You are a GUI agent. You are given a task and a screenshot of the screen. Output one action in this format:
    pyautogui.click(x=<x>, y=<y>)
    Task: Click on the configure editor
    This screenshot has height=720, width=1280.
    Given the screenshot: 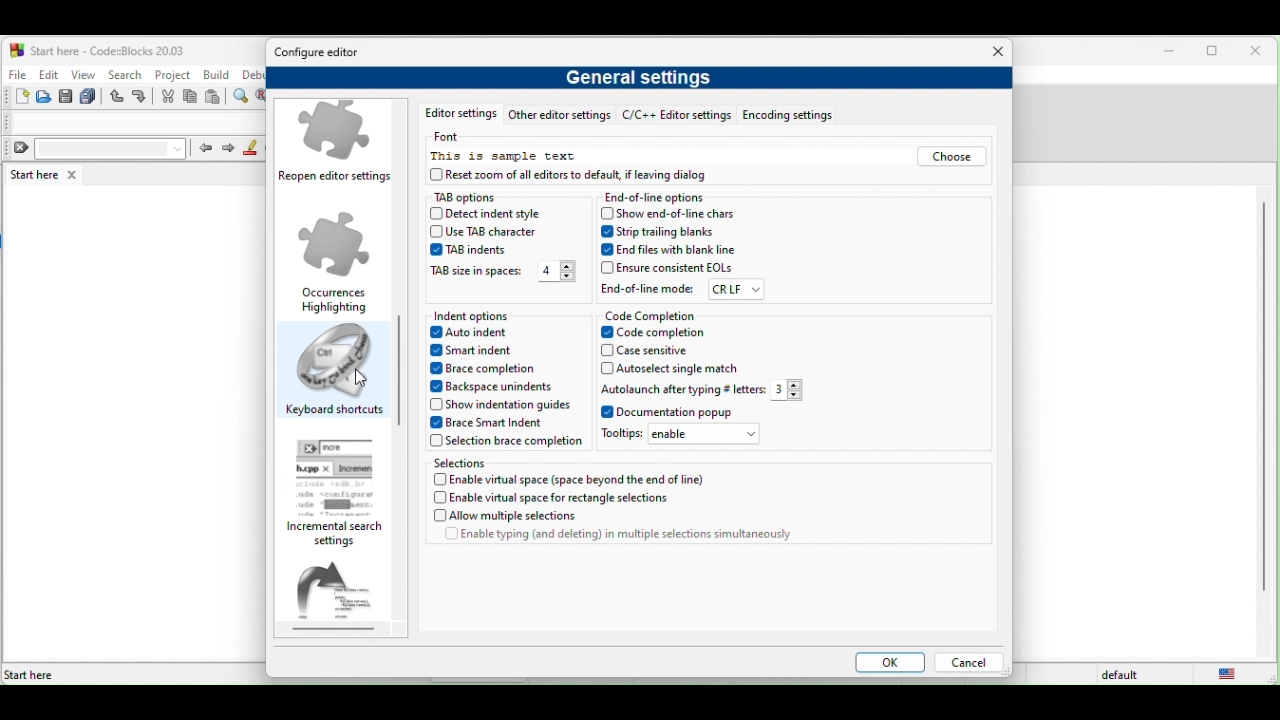 What is the action you would take?
    pyautogui.click(x=323, y=53)
    